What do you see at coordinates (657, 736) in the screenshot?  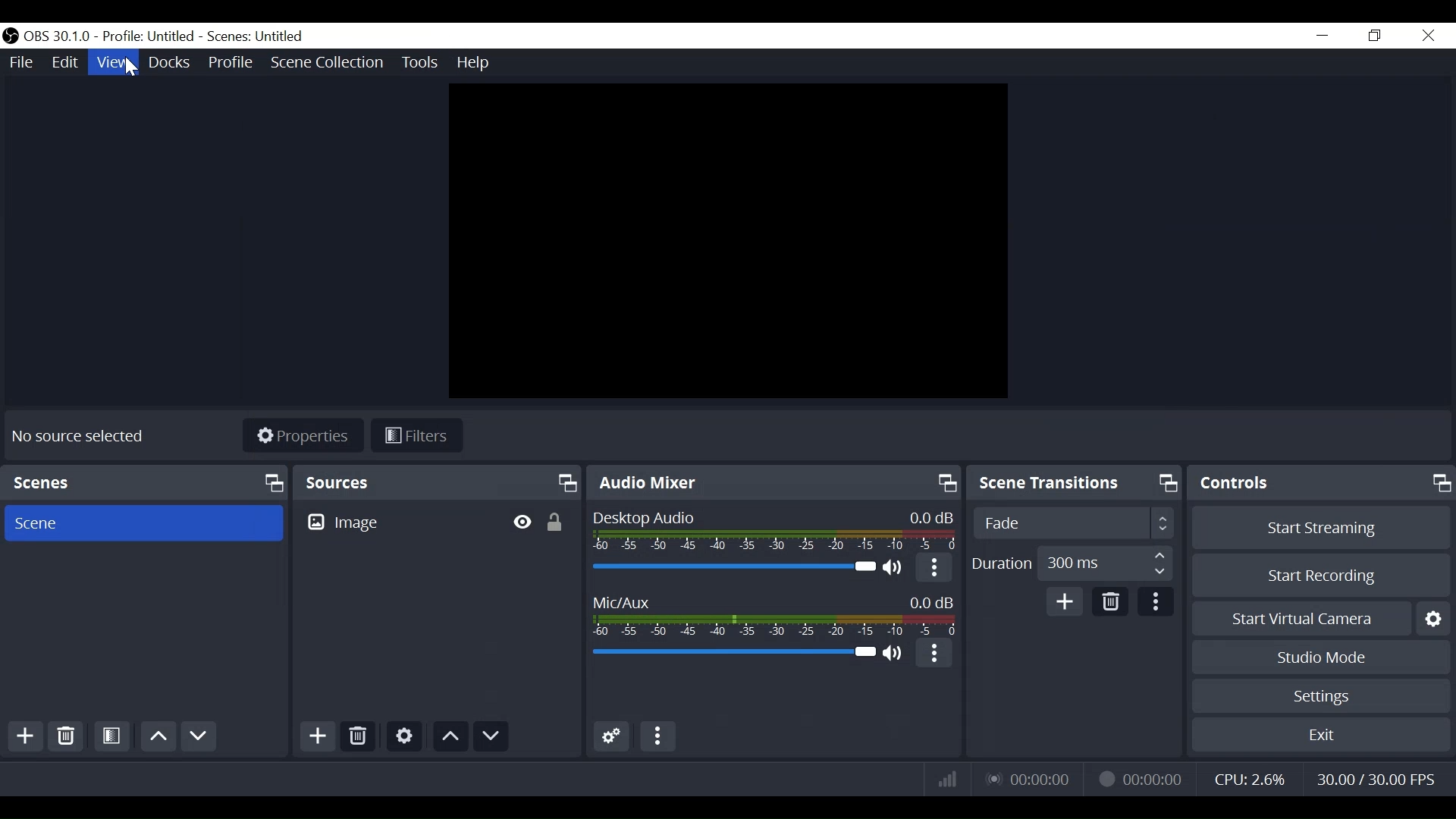 I see `More Options` at bounding box center [657, 736].